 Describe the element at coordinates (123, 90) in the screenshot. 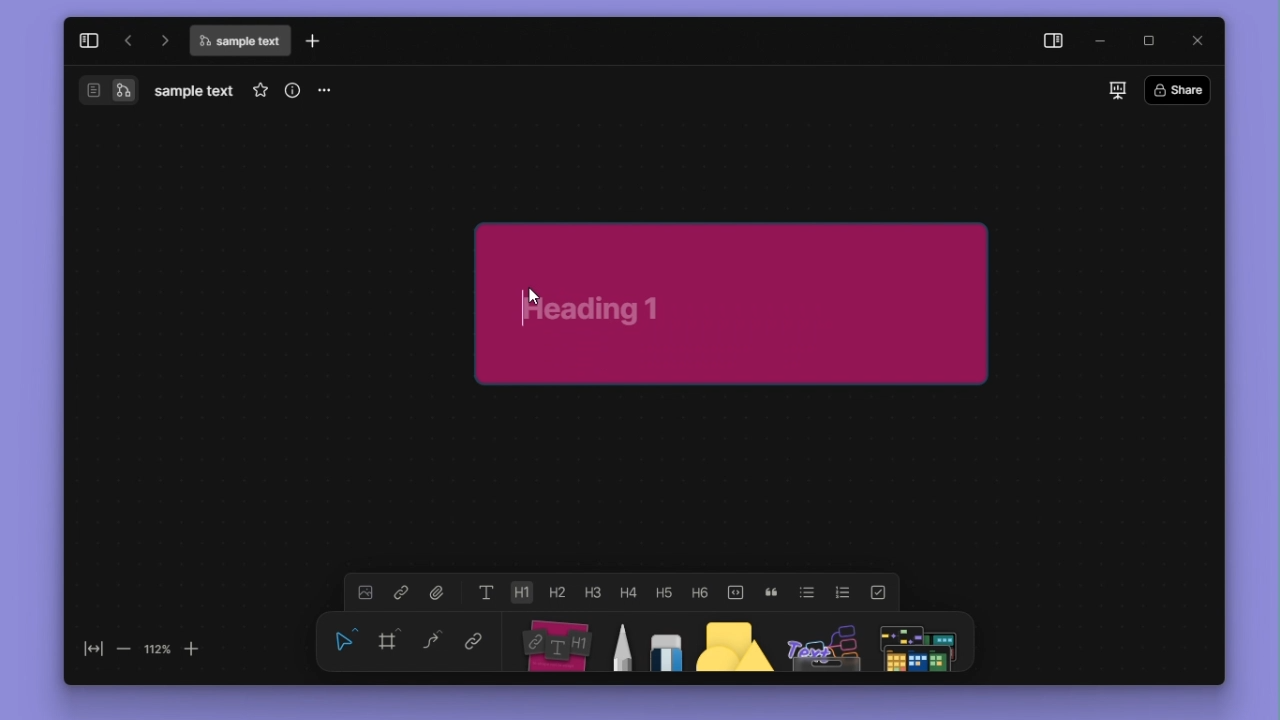

I see `switch` at that location.